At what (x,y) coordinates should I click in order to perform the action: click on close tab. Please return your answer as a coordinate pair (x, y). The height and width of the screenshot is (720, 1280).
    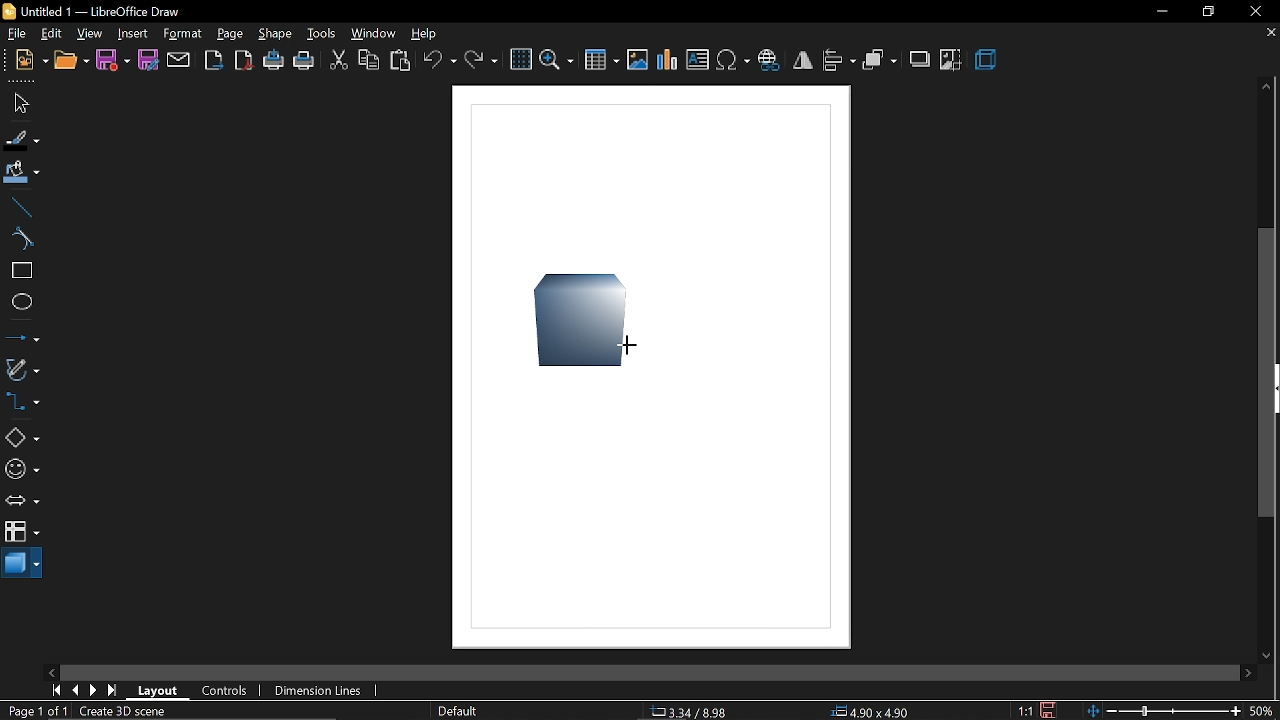
    Looking at the image, I should click on (1270, 35).